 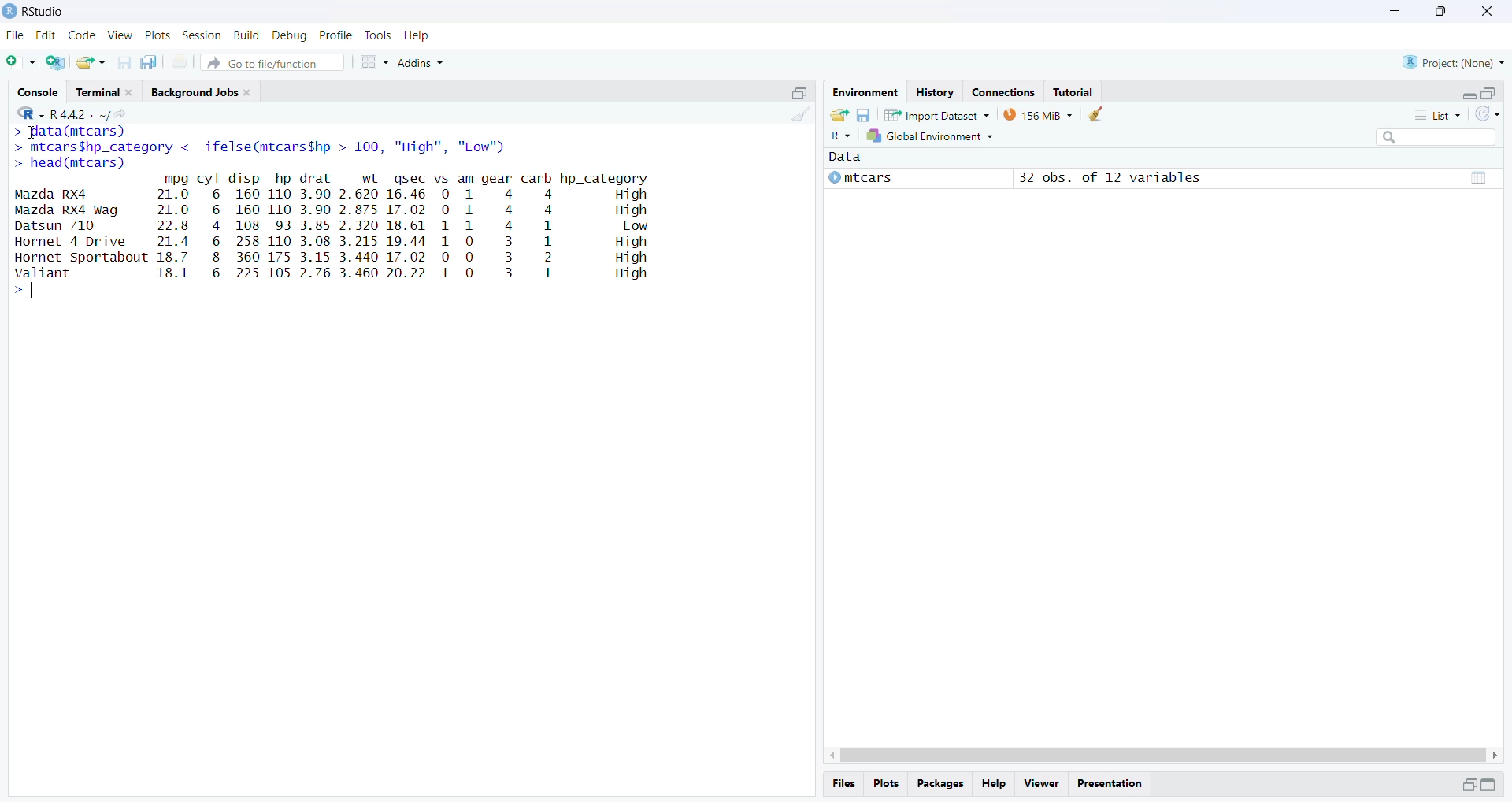 What do you see at coordinates (1114, 782) in the screenshot?
I see `Presentation` at bounding box center [1114, 782].